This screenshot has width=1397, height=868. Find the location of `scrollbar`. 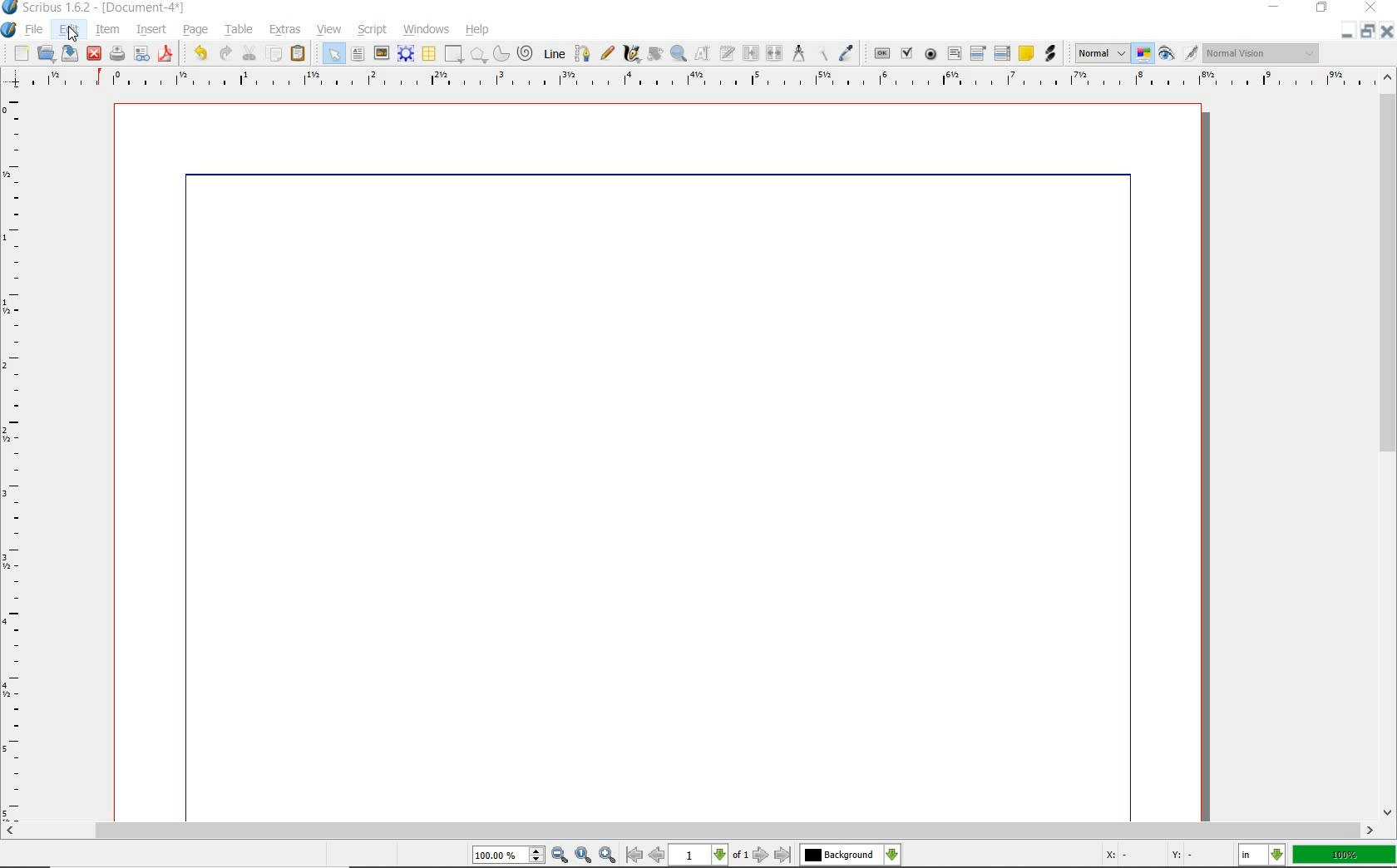

scrollbar is located at coordinates (1389, 443).